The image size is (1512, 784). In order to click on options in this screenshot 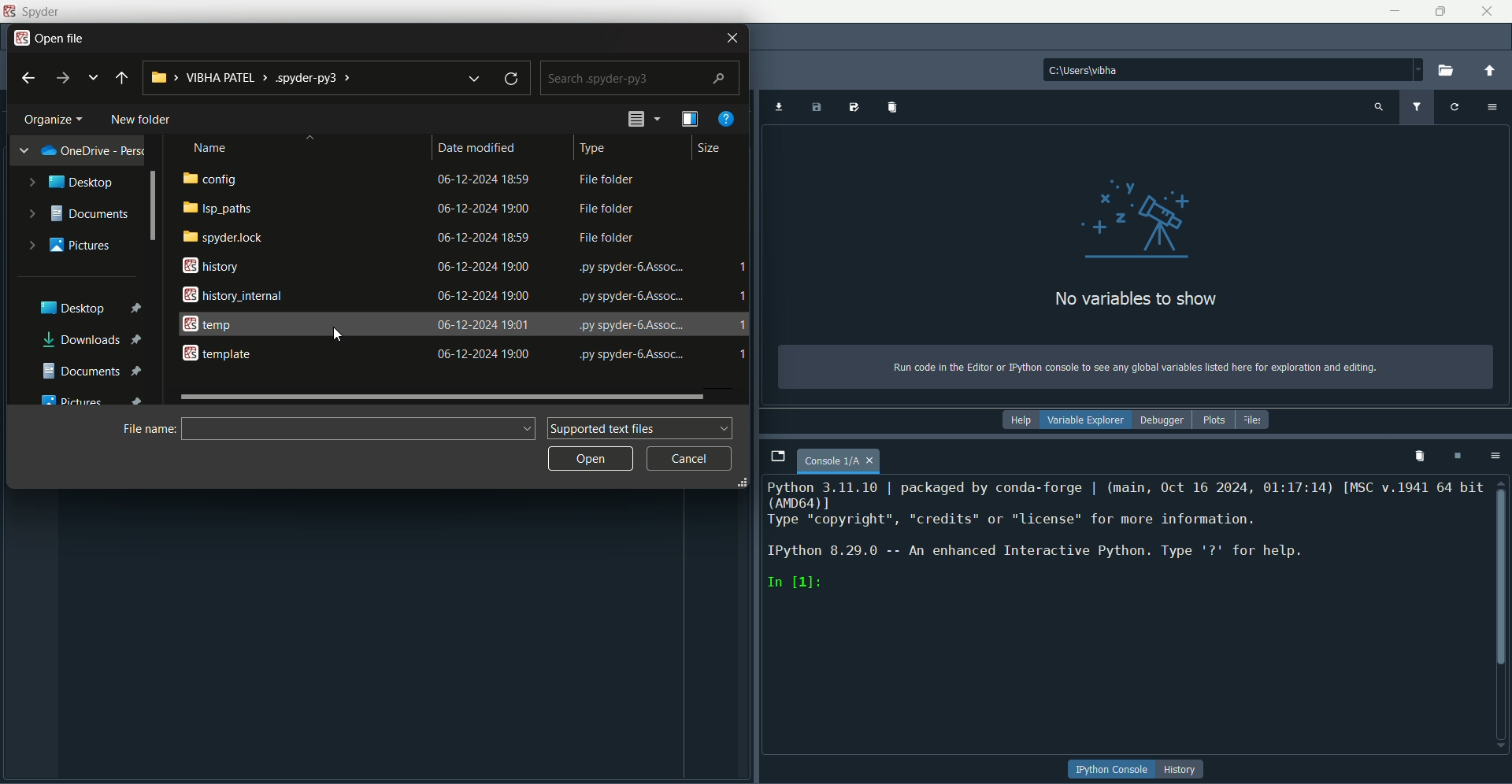, I will do `click(1495, 107)`.